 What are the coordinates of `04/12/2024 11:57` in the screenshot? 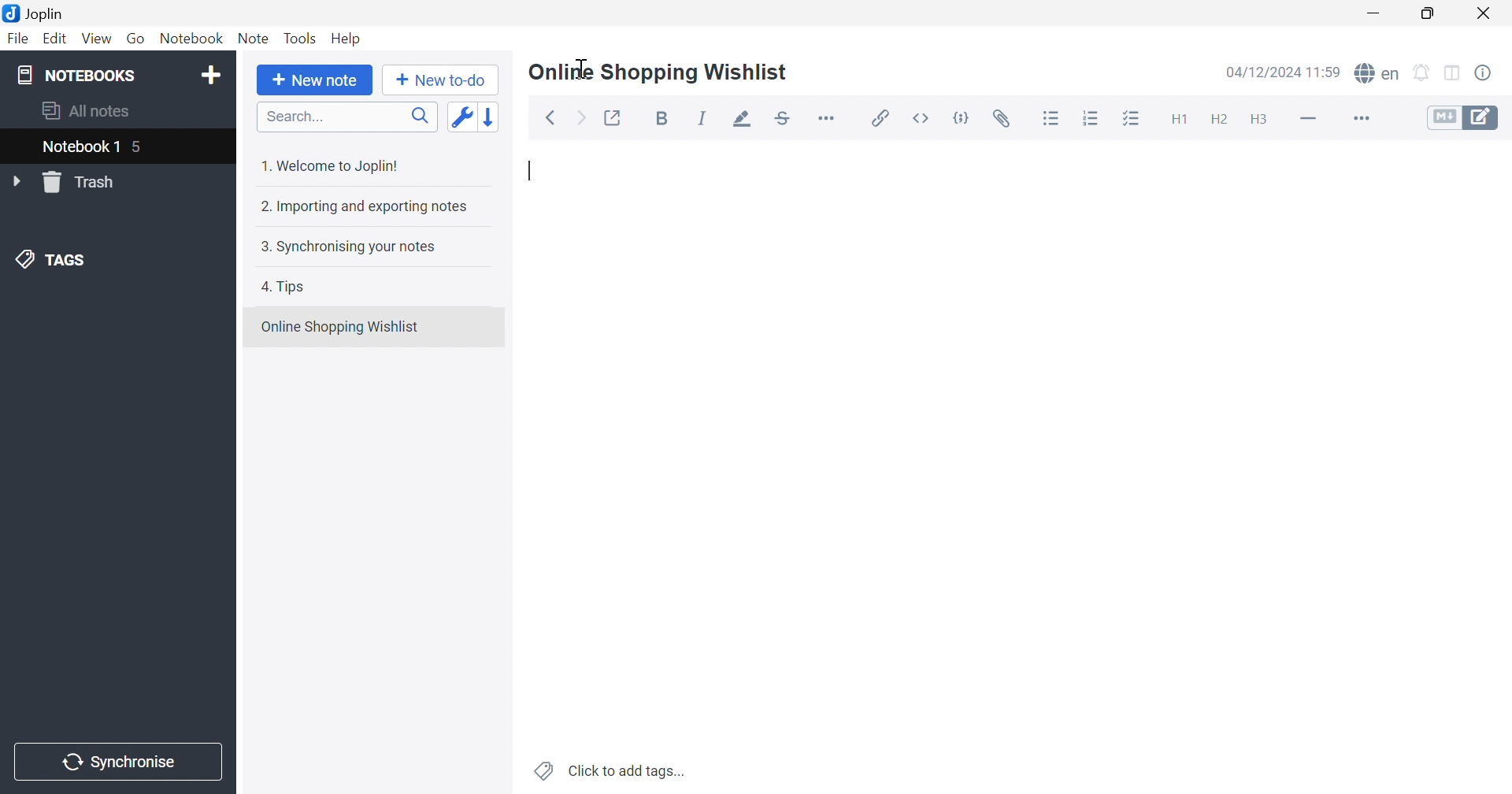 It's located at (1282, 72).